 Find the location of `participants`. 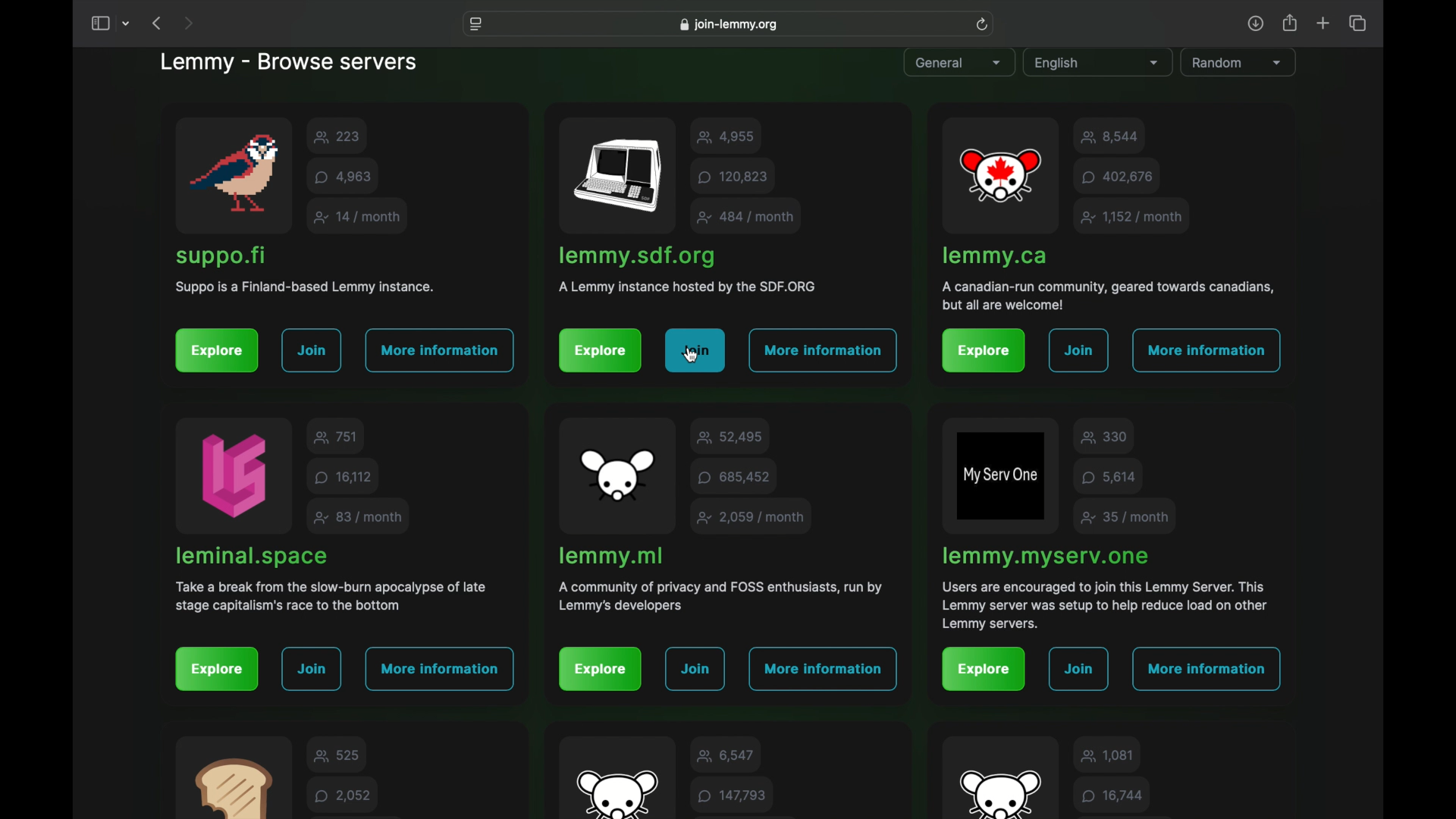

participants is located at coordinates (730, 437).